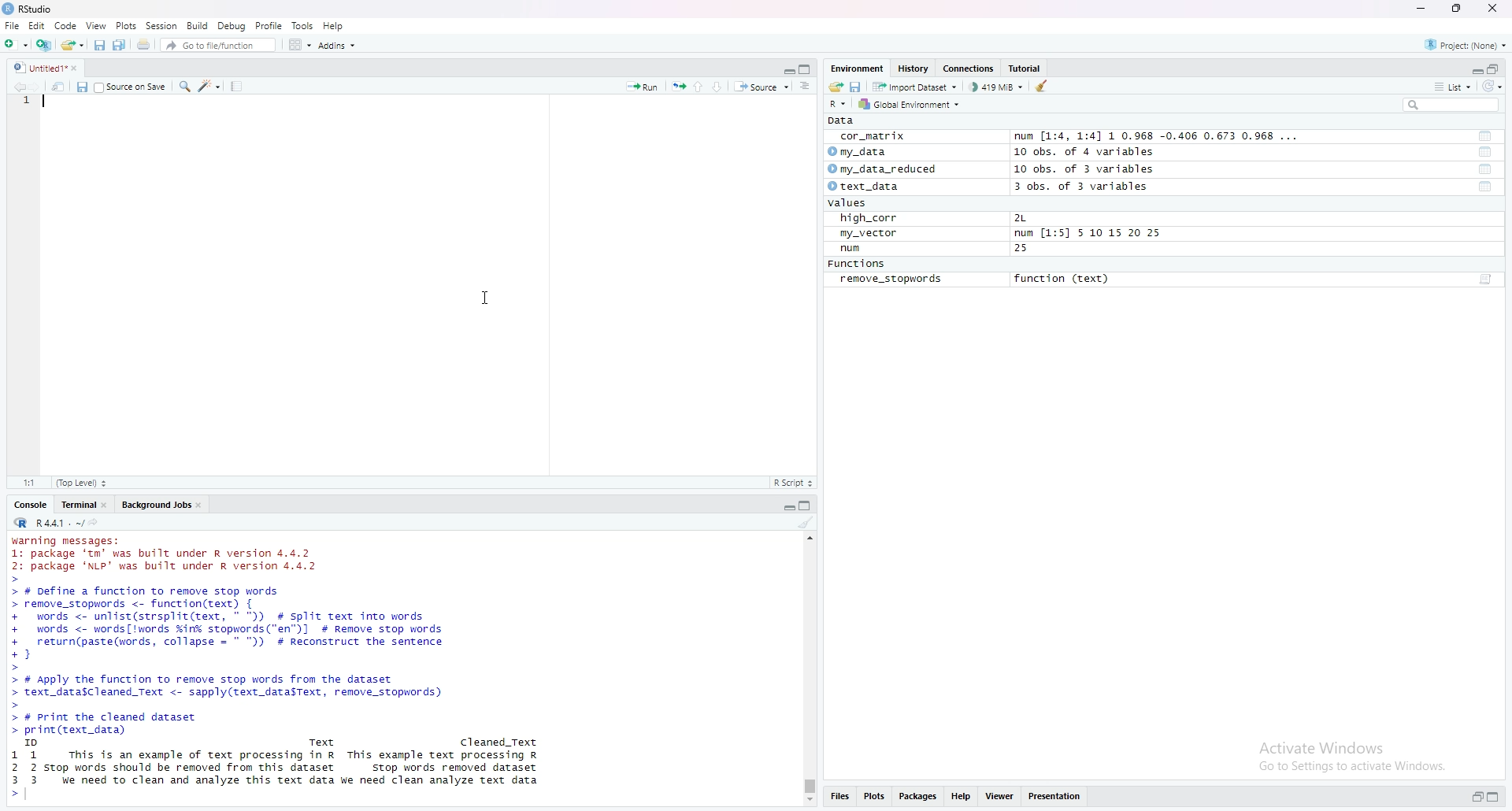  I want to click on Go to Settings to activate Windows., so click(1351, 767).